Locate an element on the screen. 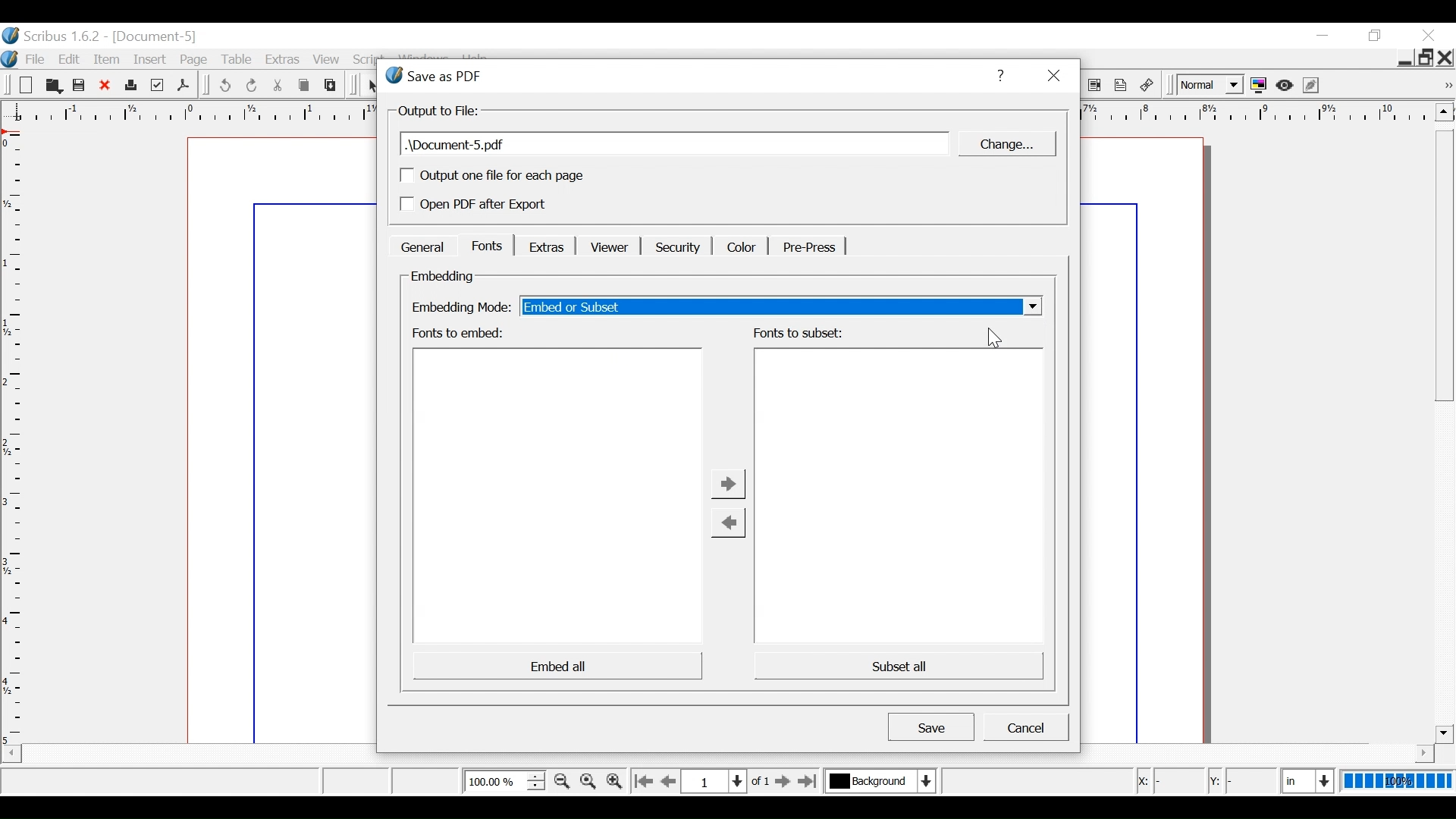 This screenshot has width=1456, height=819. Paste is located at coordinates (331, 85).